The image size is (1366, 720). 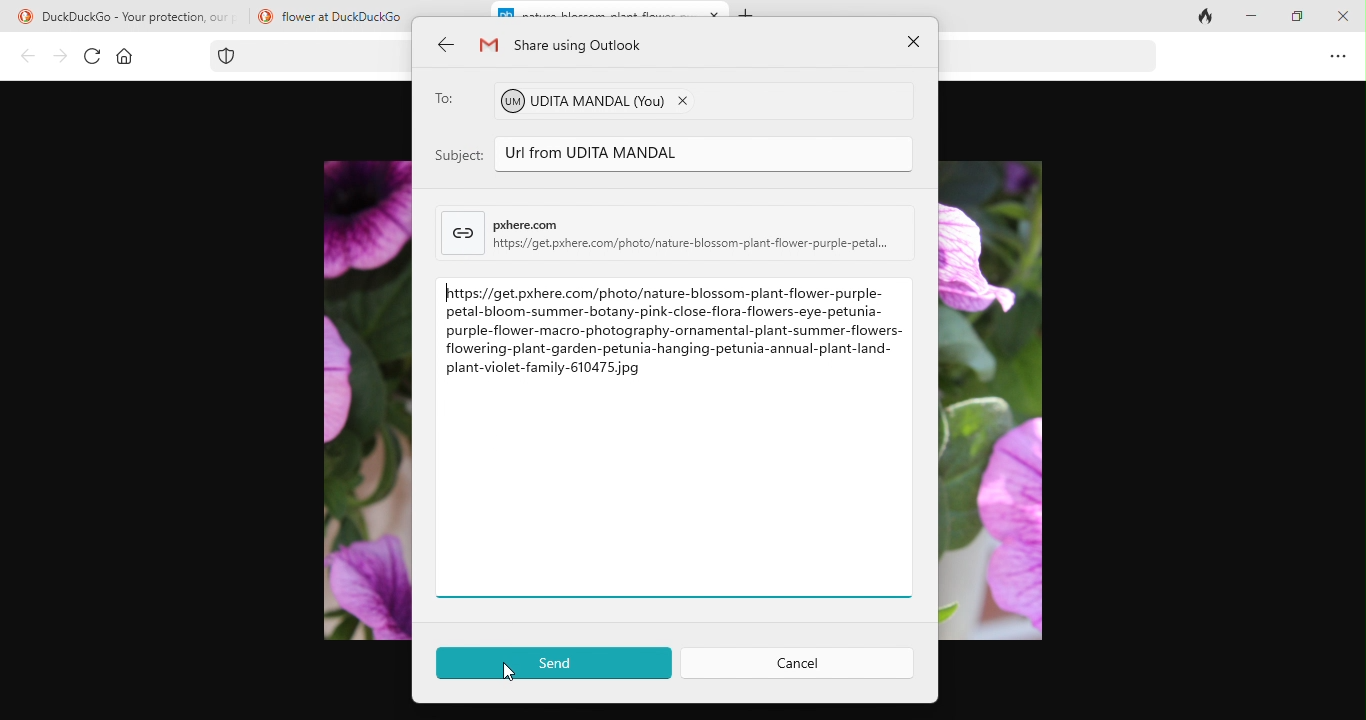 I want to click on subject, so click(x=456, y=155).